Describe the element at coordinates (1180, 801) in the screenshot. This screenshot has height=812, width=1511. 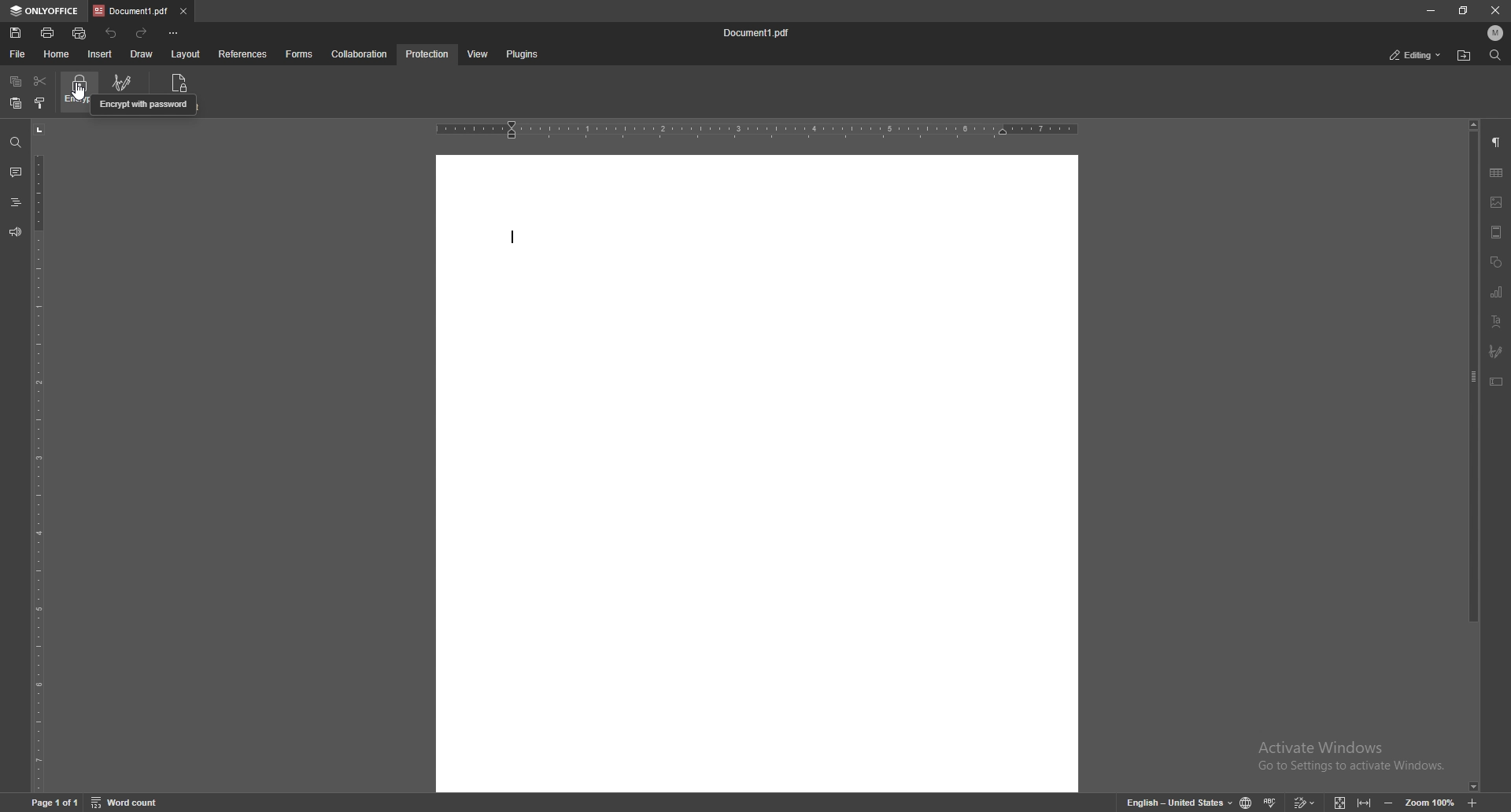
I see `change text language` at that location.